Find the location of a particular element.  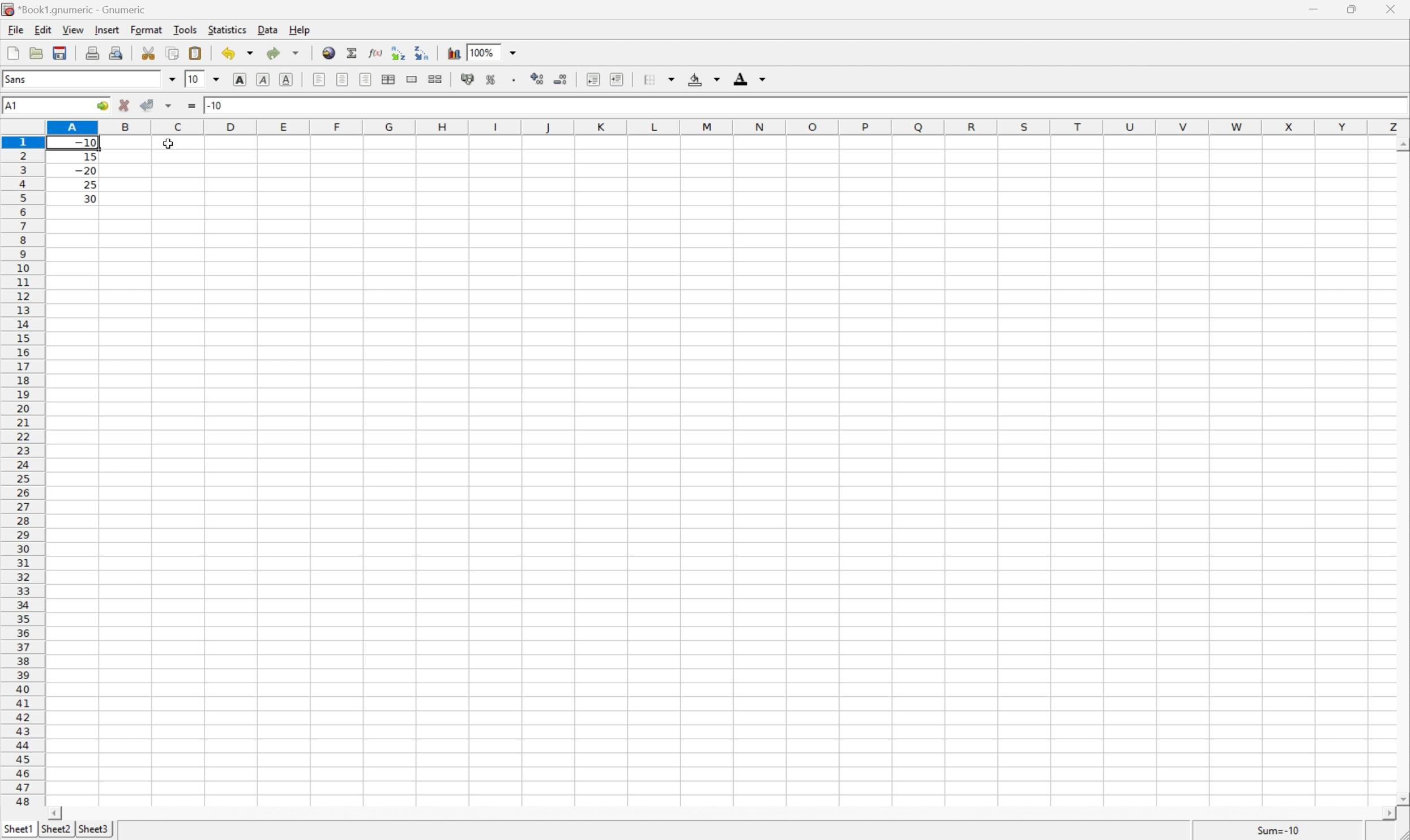

Print preview is located at coordinates (118, 52).